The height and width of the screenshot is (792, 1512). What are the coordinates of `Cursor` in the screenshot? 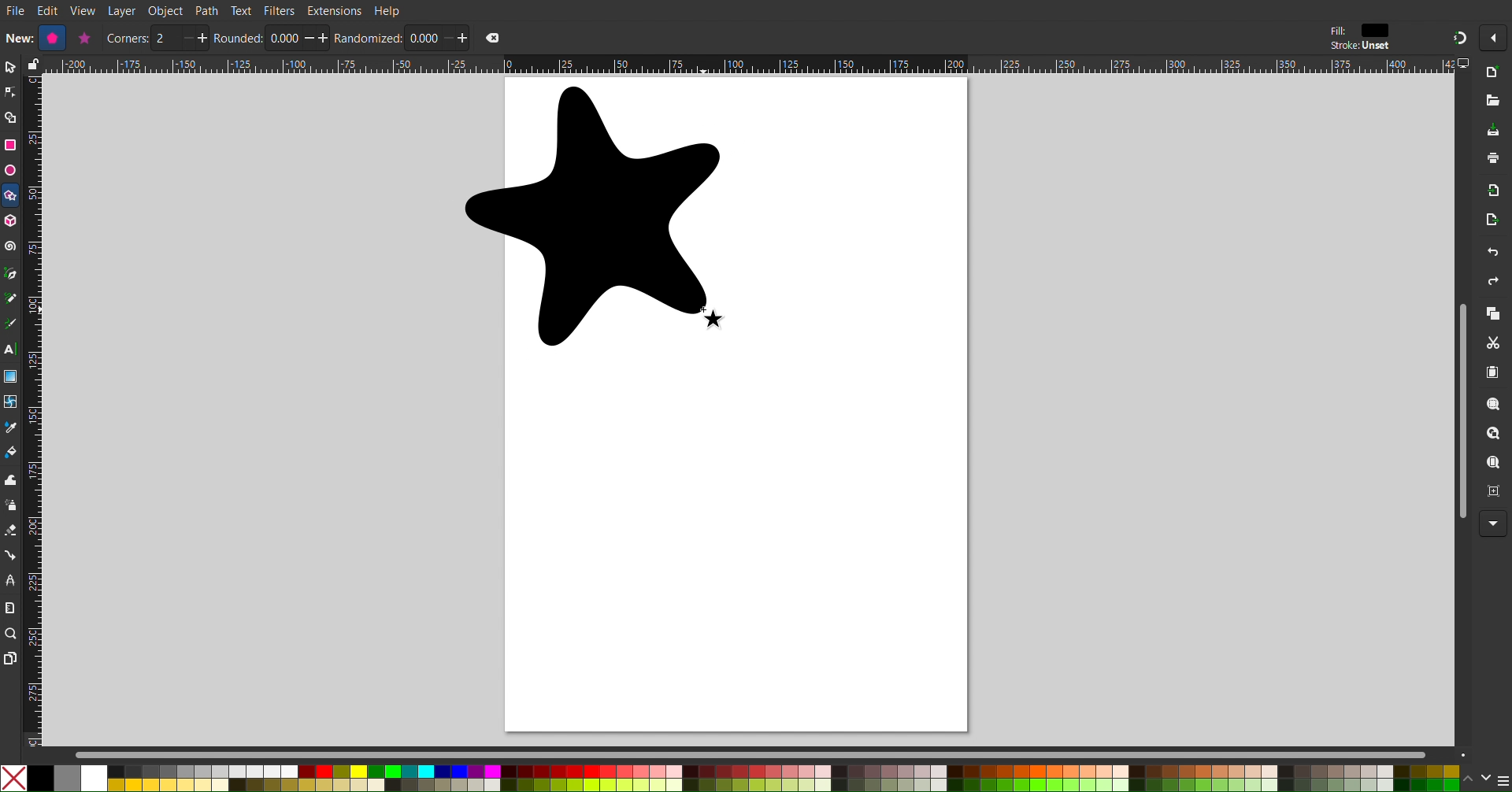 It's located at (717, 320).